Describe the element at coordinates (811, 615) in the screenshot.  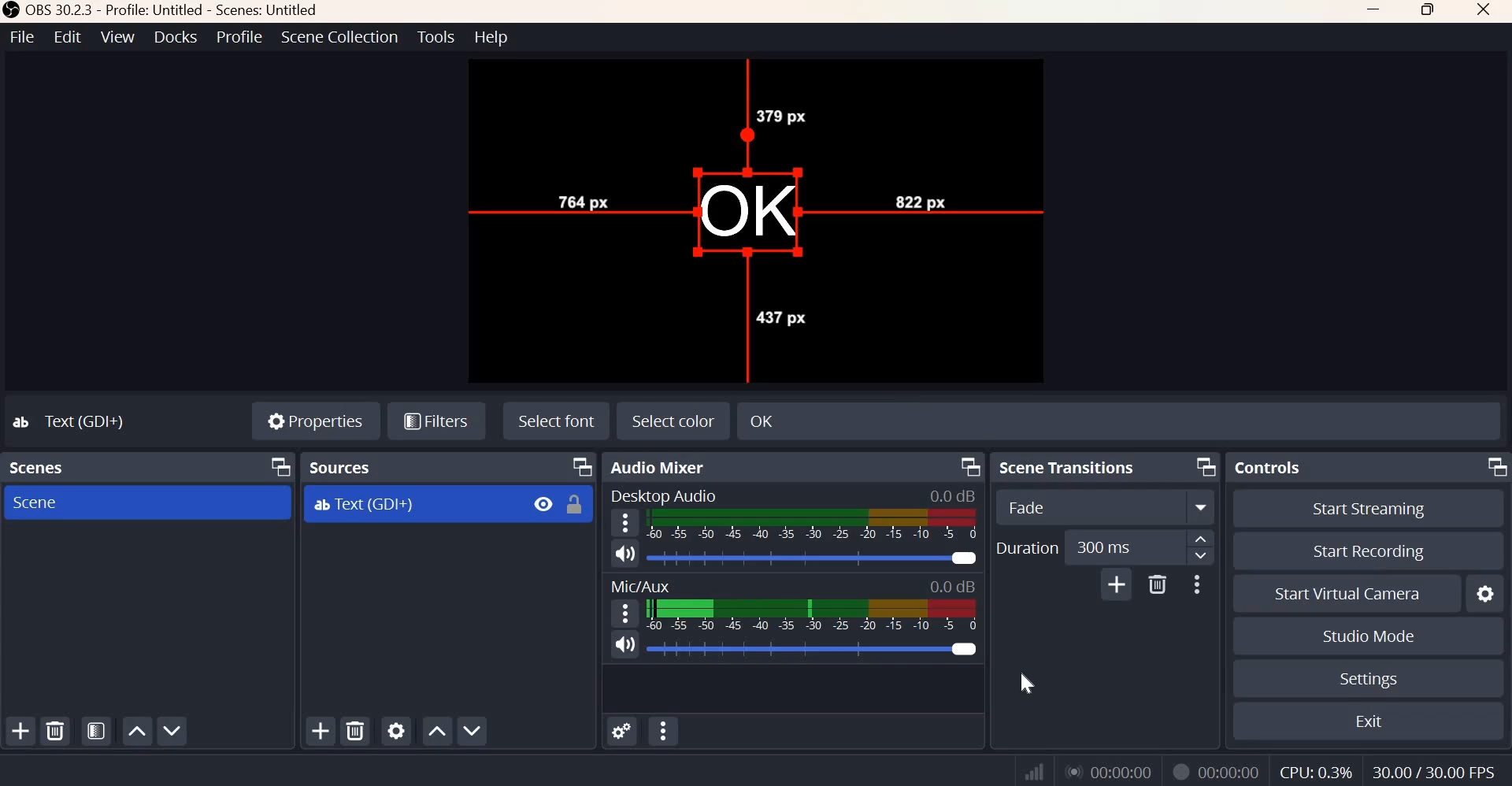
I see `Volume Meter` at that location.